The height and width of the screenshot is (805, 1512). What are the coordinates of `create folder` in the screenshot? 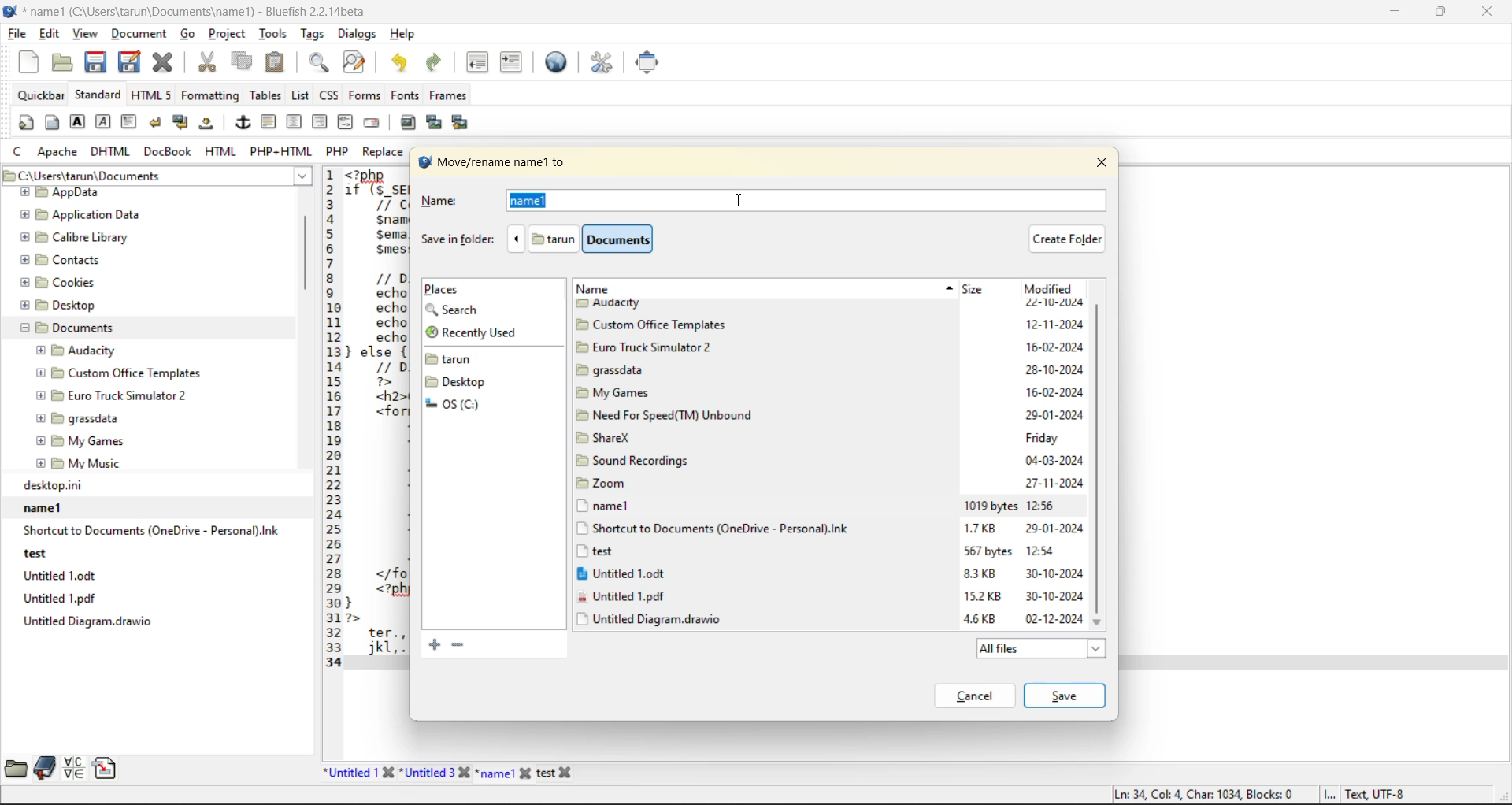 It's located at (1073, 239).